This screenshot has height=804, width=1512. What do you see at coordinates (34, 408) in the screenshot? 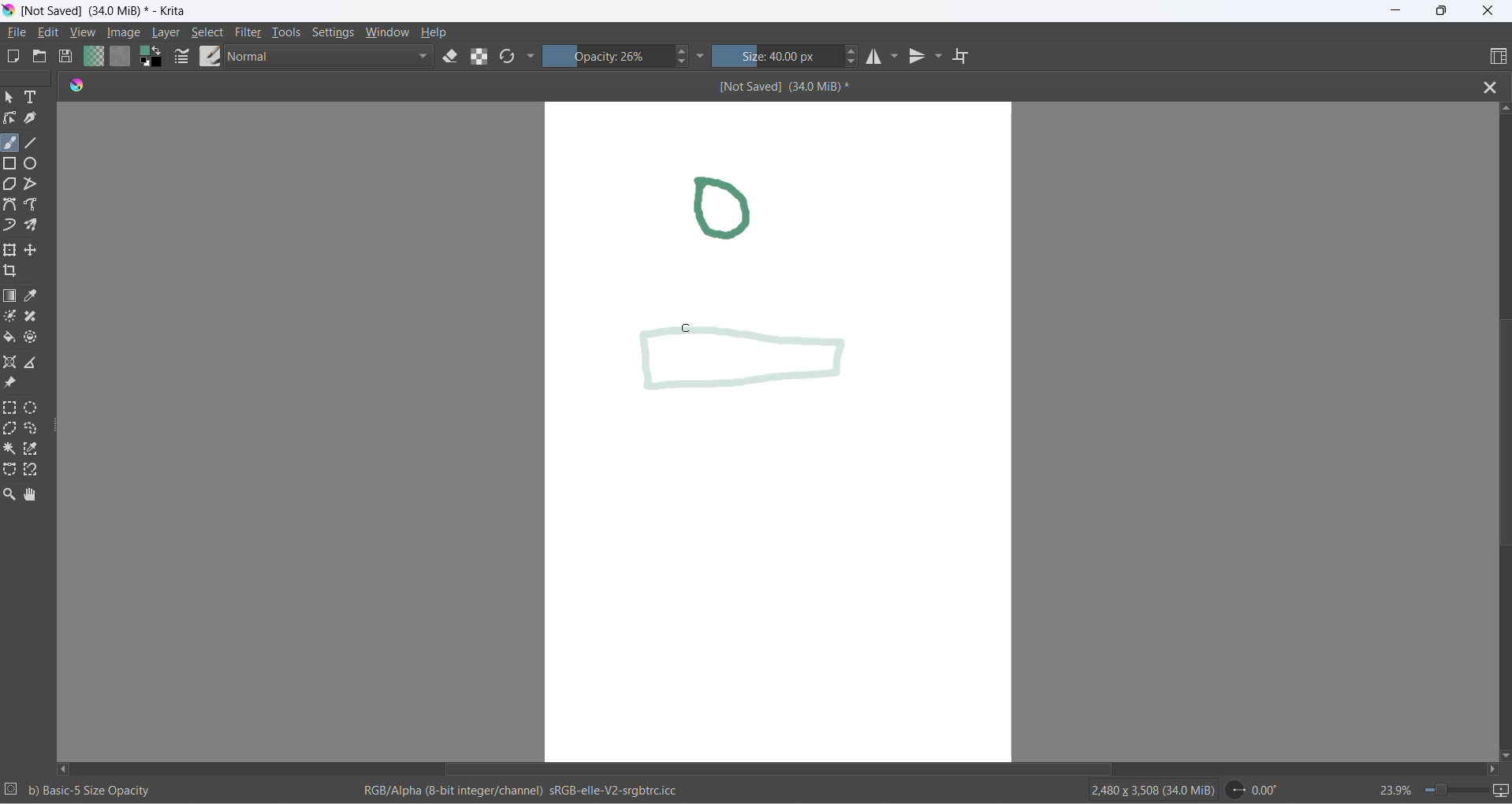
I see `elliptical selection tool` at bounding box center [34, 408].